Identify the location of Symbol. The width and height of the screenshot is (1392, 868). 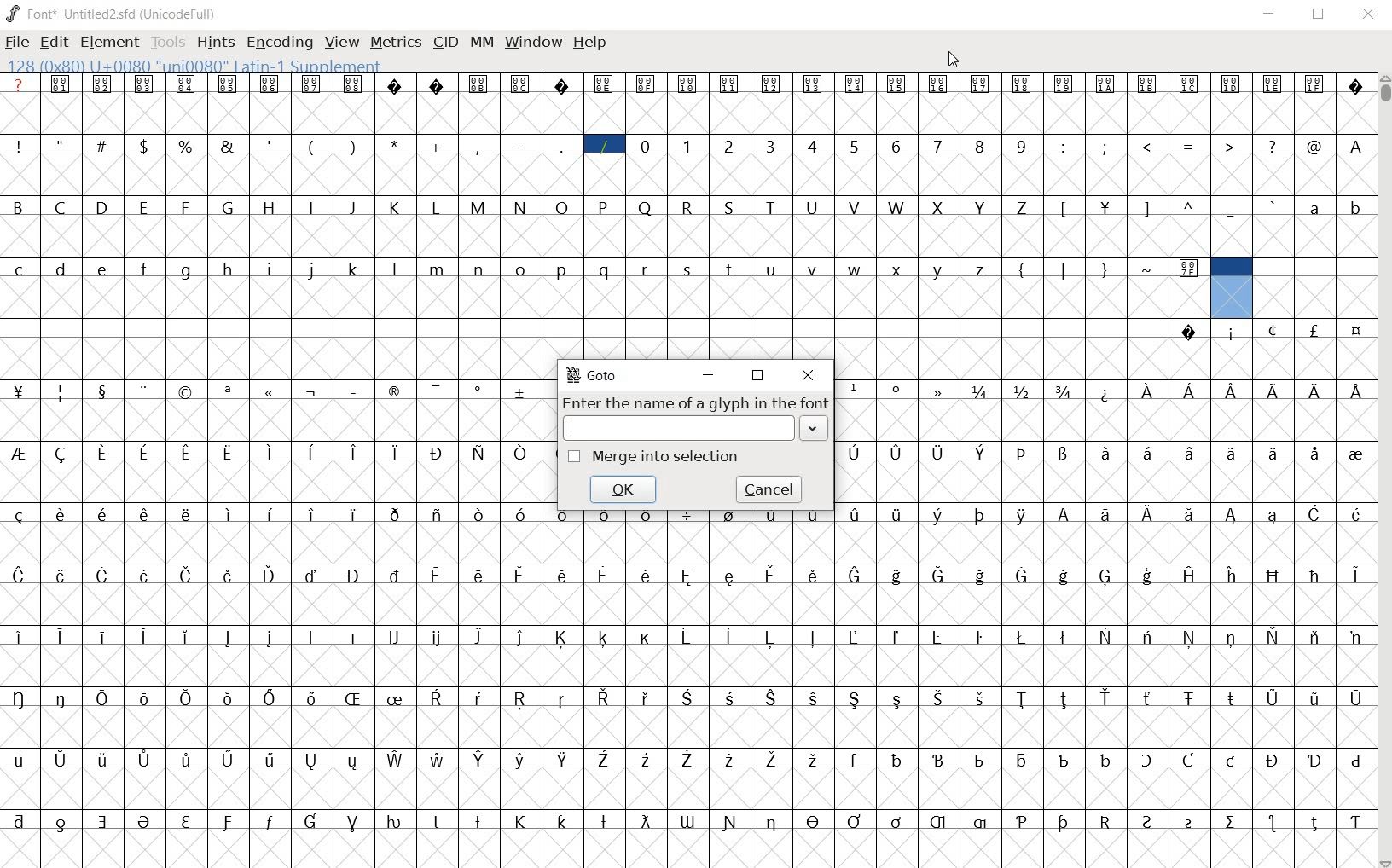
(1314, 83).